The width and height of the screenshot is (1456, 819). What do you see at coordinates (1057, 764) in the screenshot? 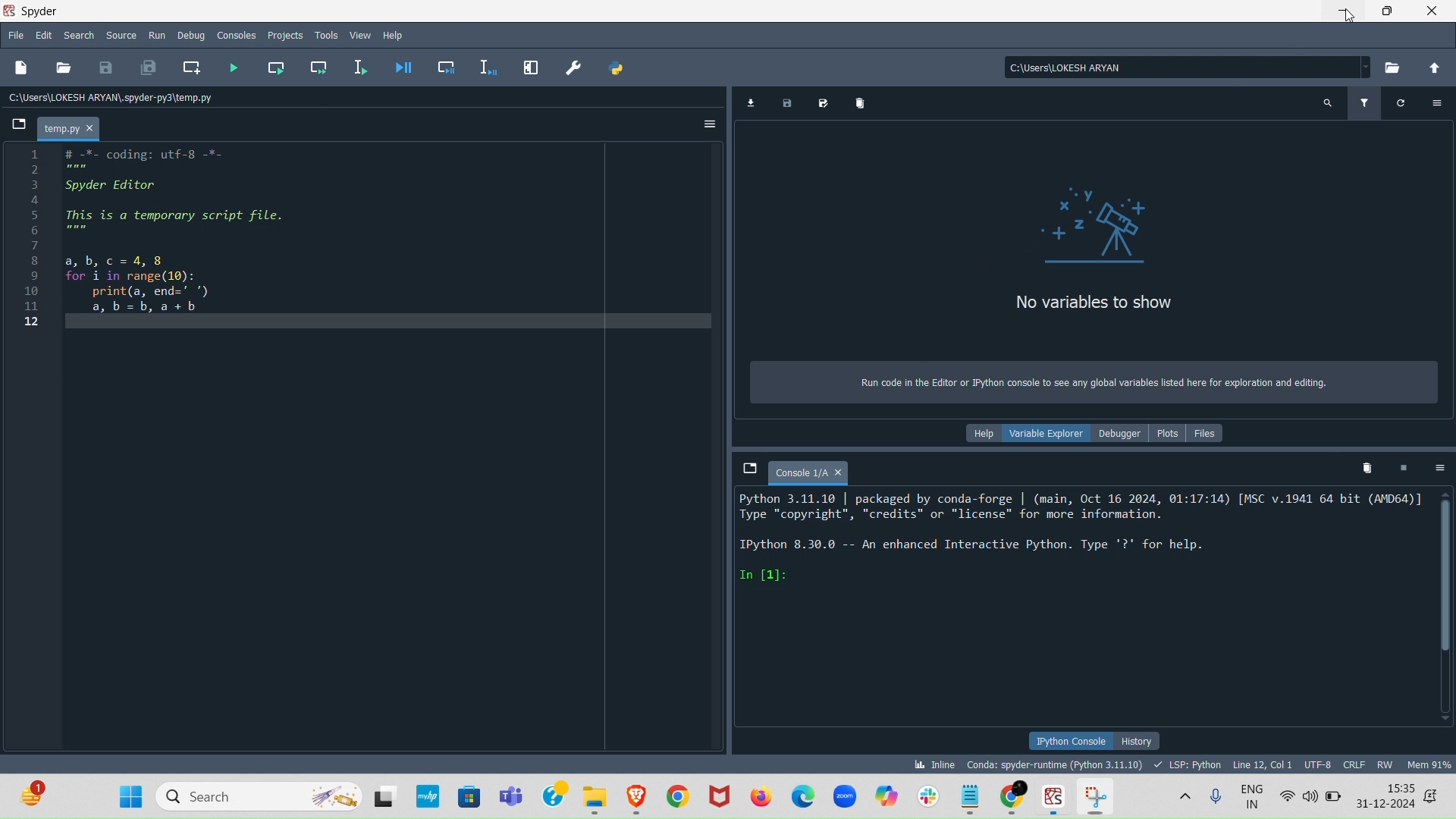
I see `Version` at bounding box center [1057, 764].